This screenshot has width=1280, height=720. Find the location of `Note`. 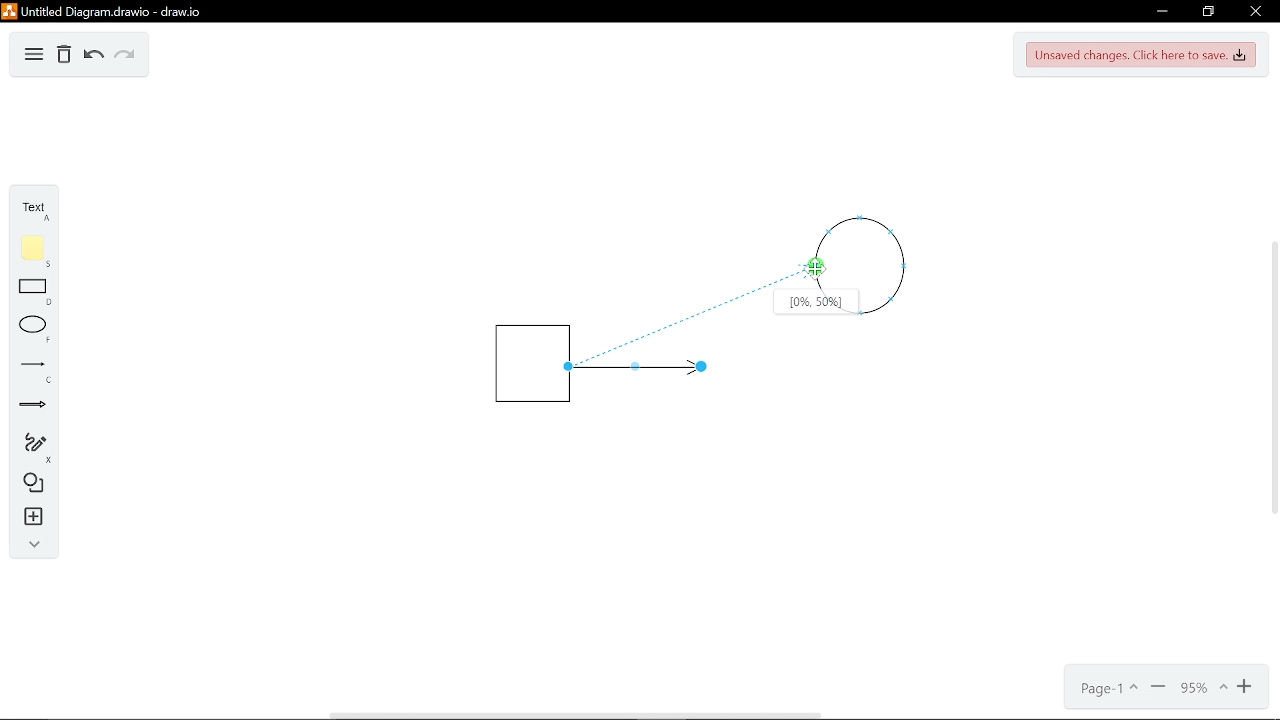

Note is located at coordinates (27, 249).